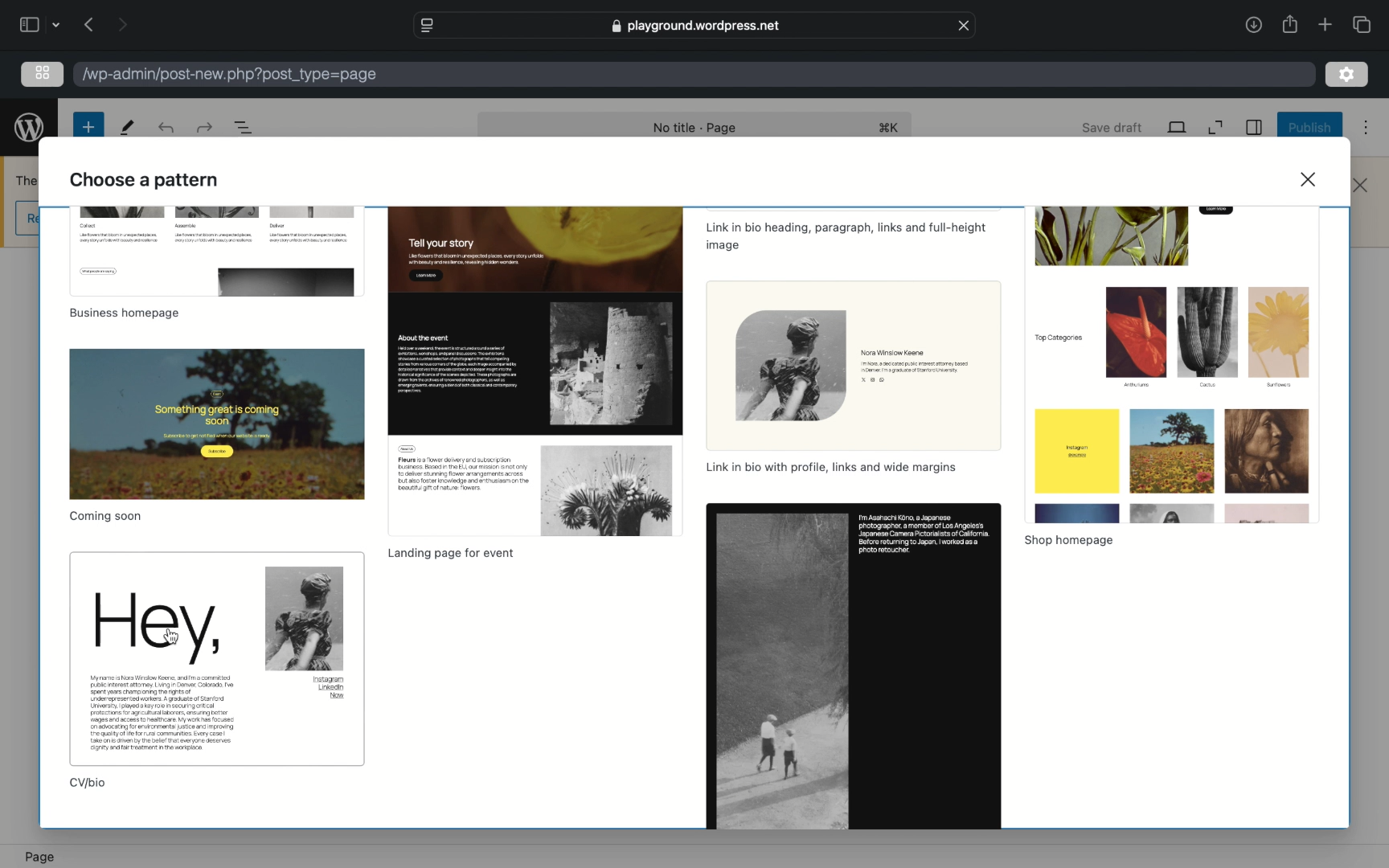  I want to click on shop homepage, so click(1069, 541).